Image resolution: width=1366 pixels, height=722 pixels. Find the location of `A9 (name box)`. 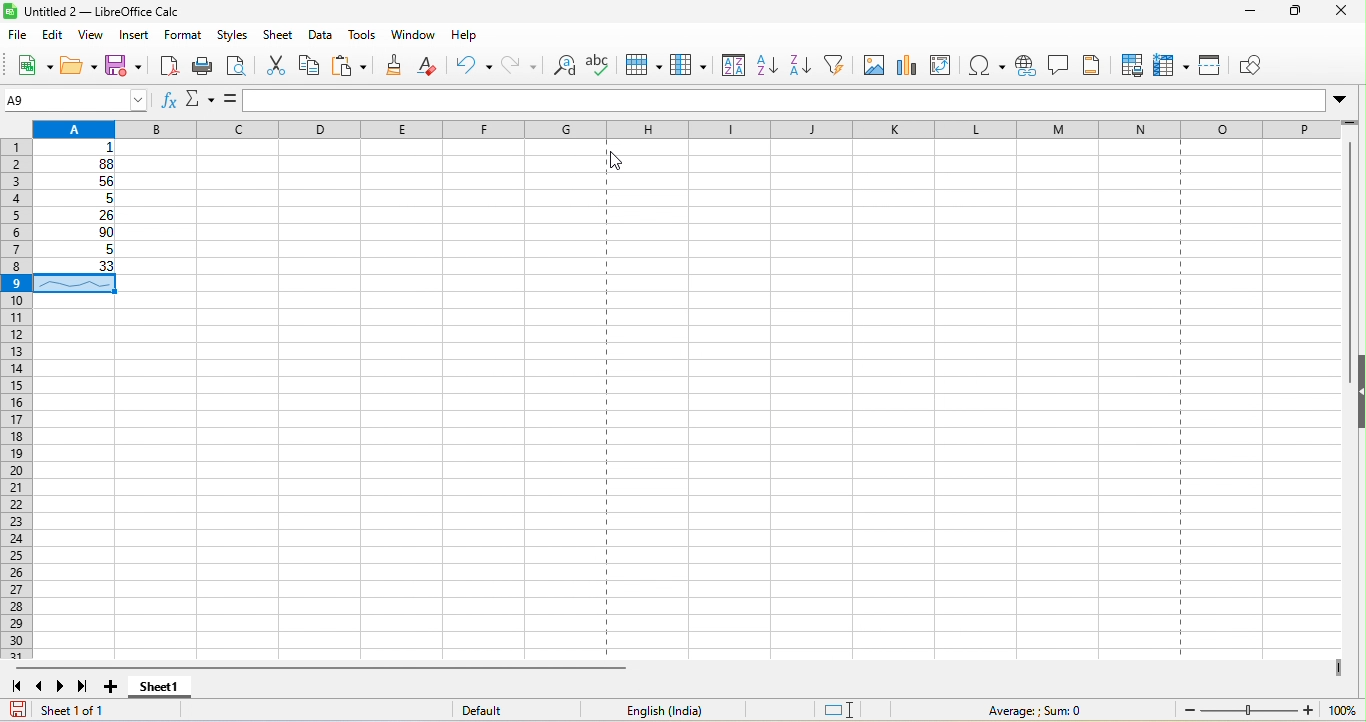

A9 (name box) is located at coordinates (75, 99).